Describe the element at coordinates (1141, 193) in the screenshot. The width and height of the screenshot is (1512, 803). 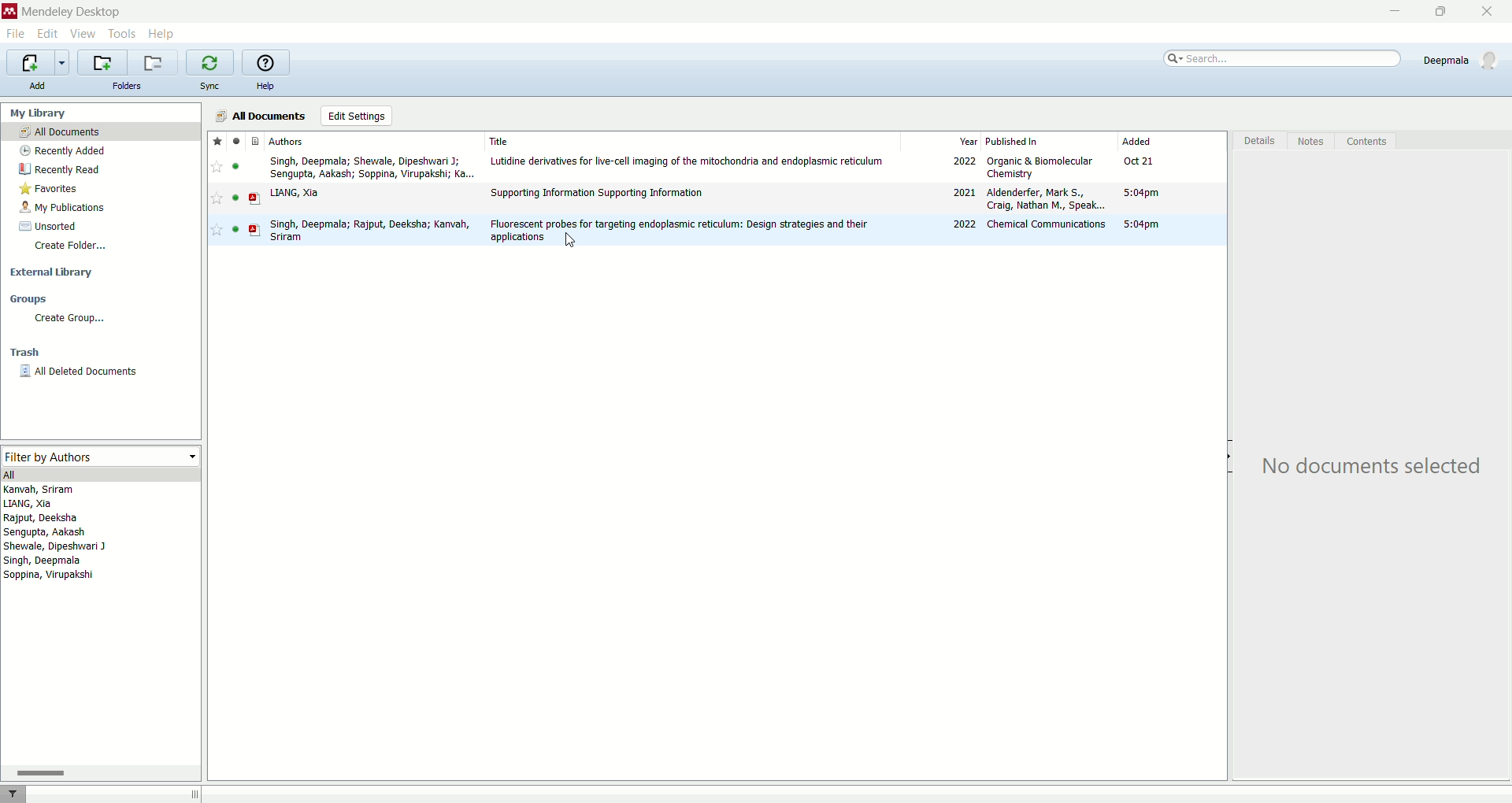
I see `5:04pm` at that location.